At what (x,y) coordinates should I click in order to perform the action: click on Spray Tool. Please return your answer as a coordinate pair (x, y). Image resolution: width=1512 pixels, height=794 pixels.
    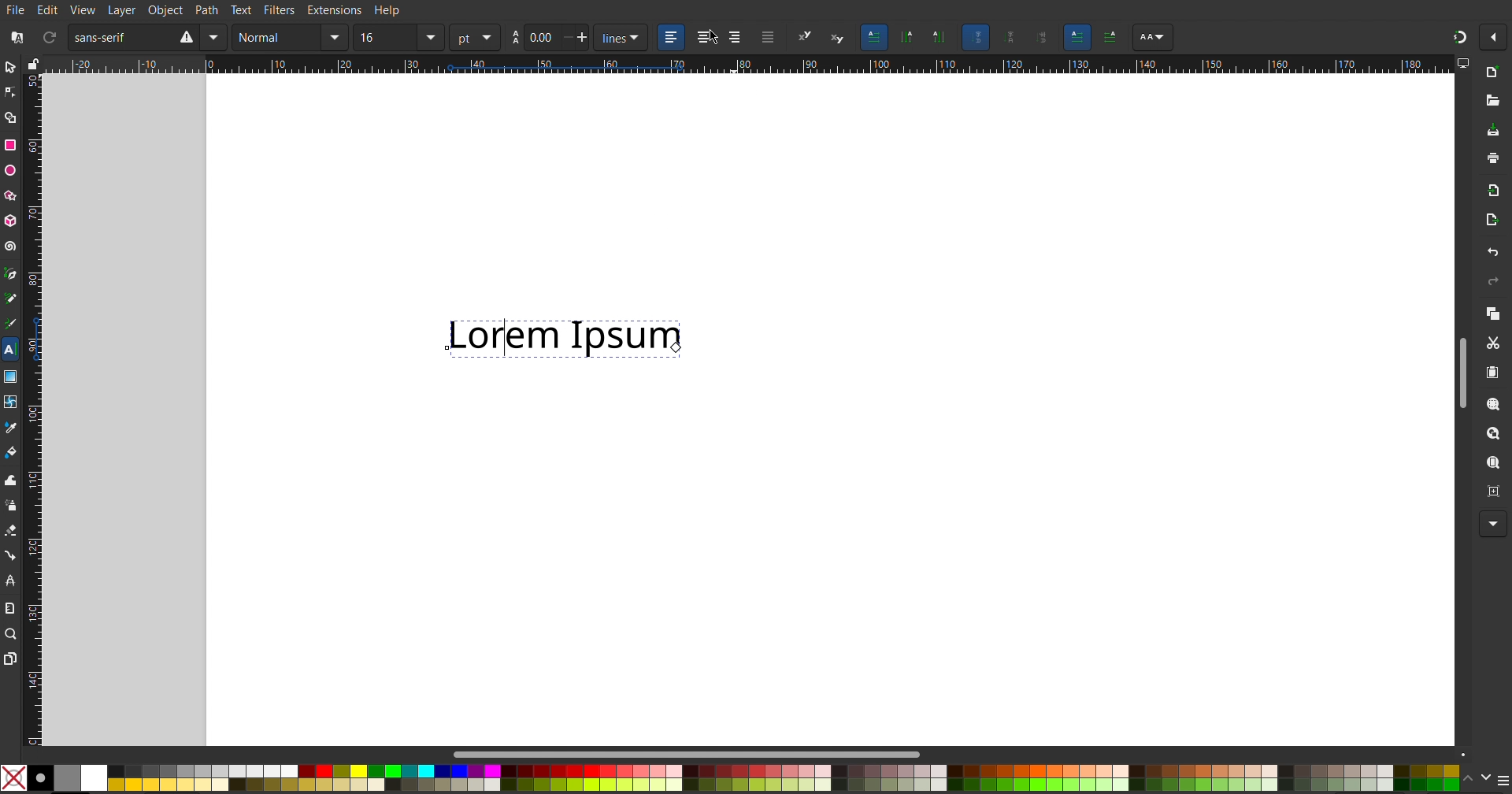
    Looking at the image, I should click on (13, 508).